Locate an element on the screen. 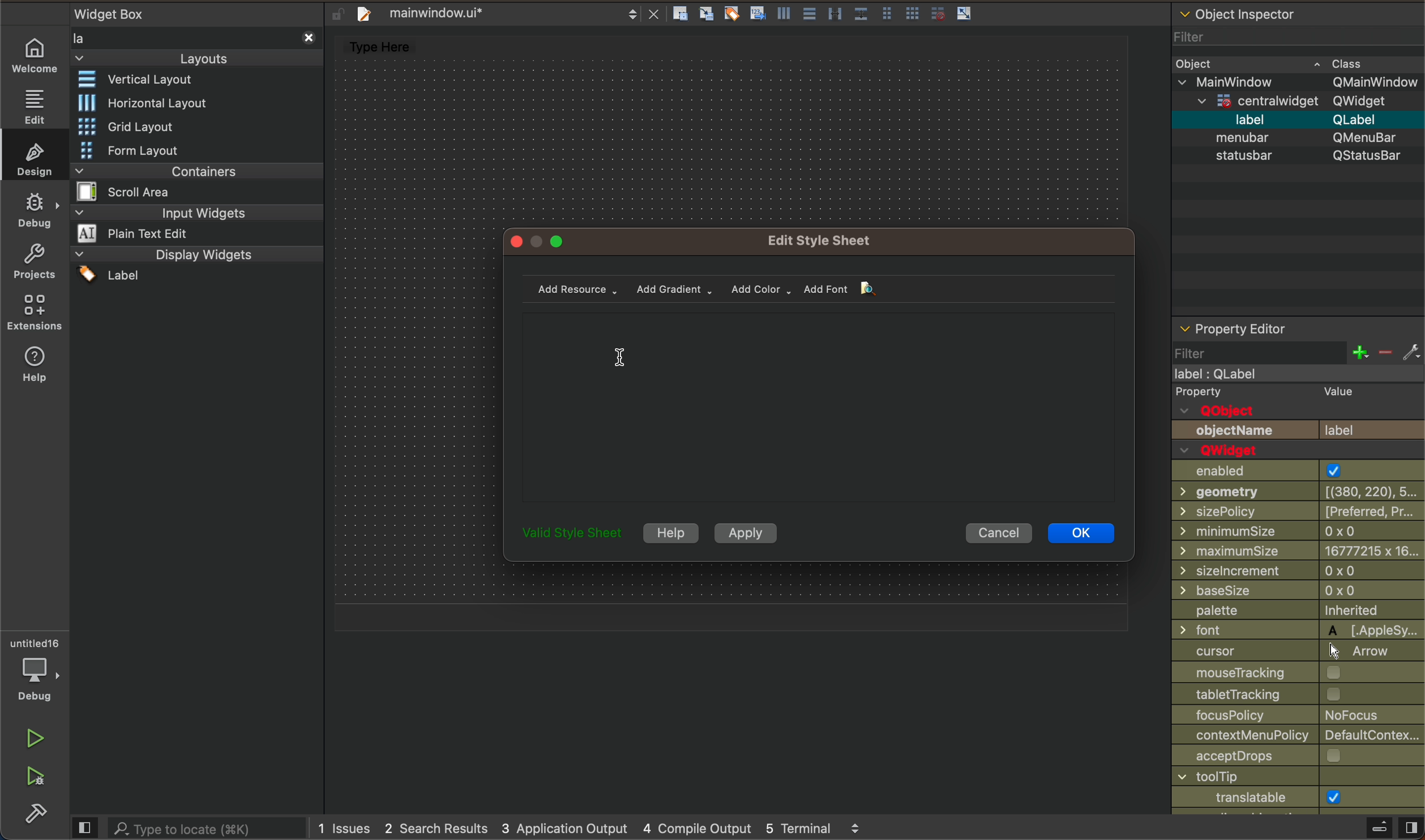 This screenshot has height=840, width=1425. run is located at coordinates (35, 742).